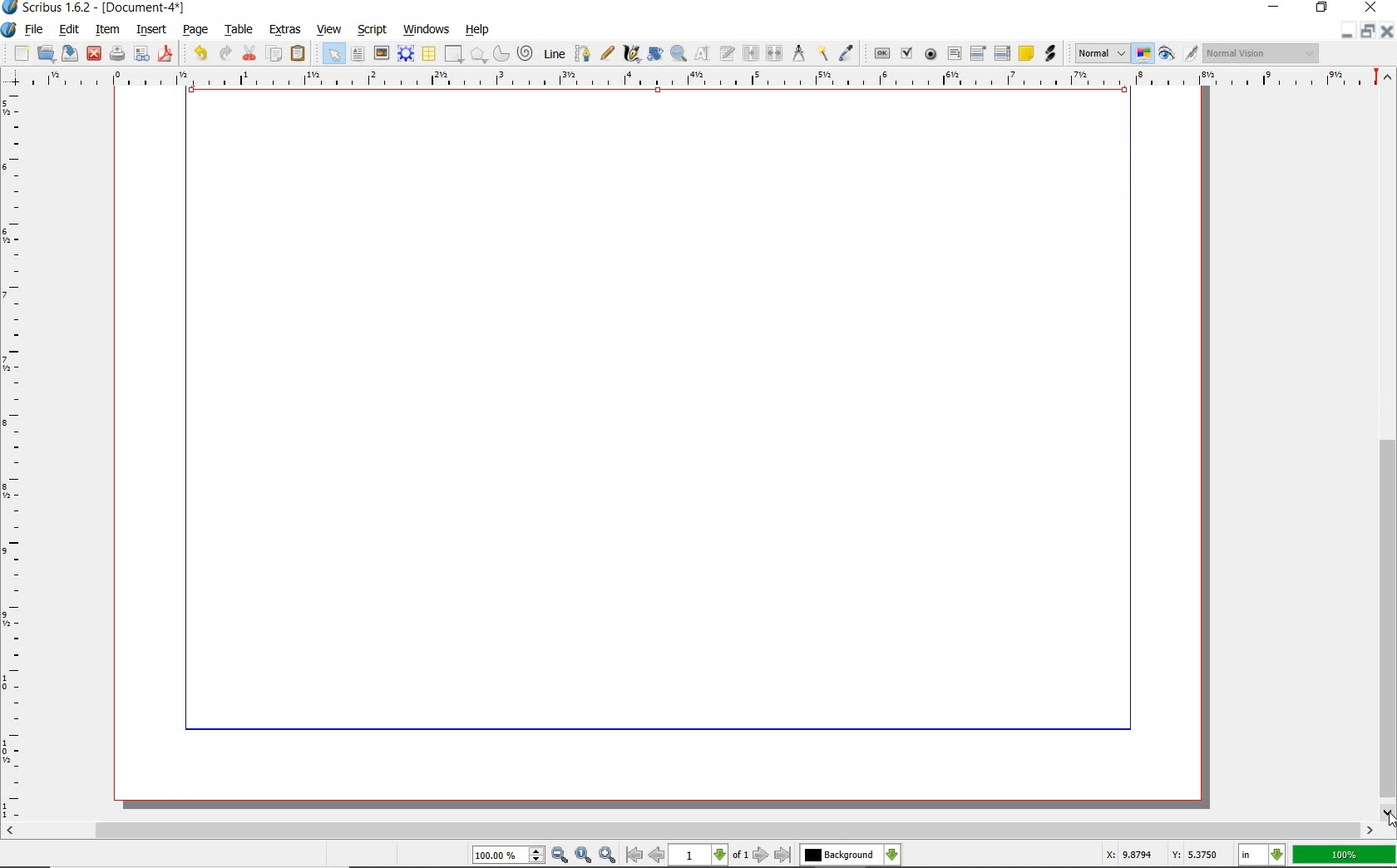  Describe the element at coordinates (584, 52) in the screenshot. I see `Bezier curve` at that location.